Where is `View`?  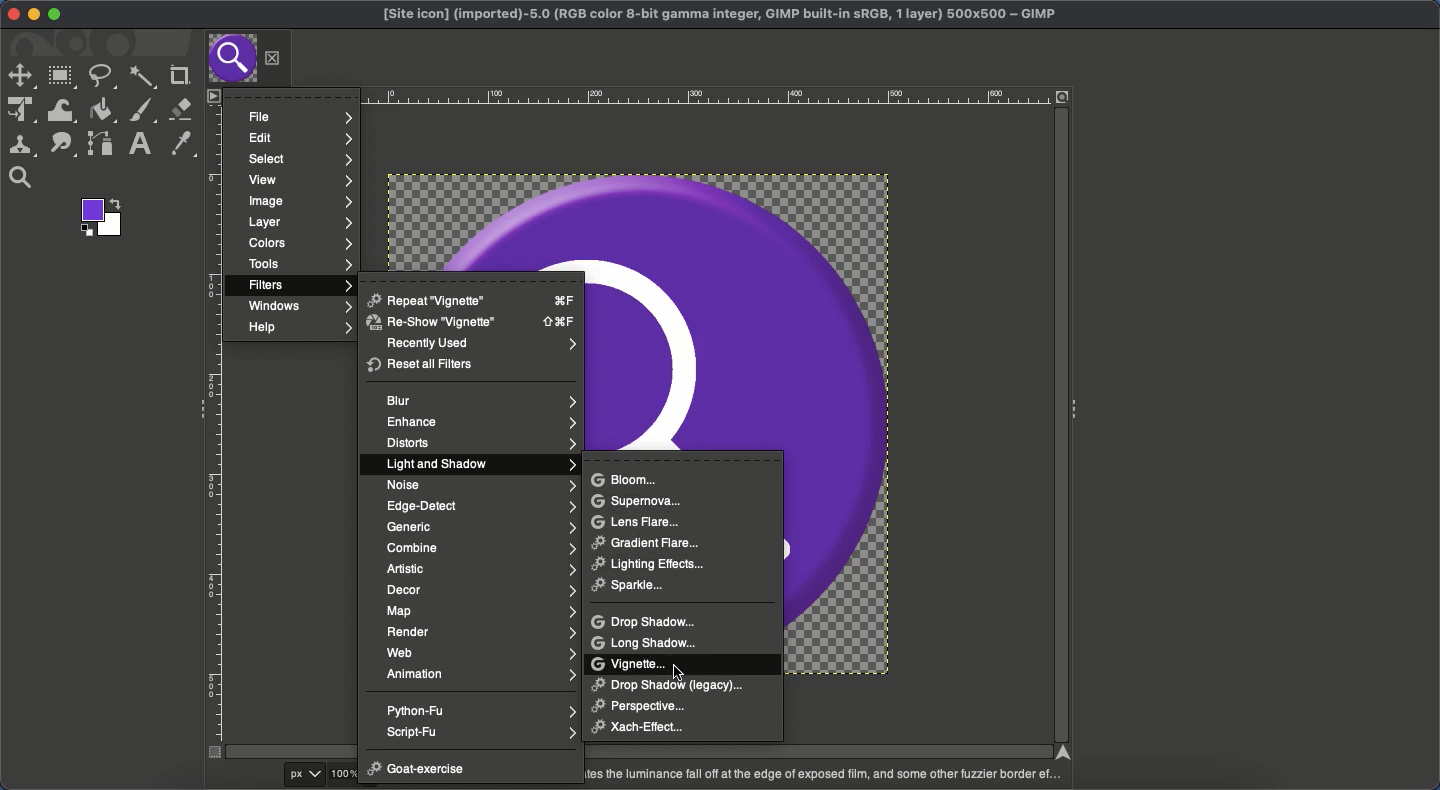
View is located at coordinates (297, 179).